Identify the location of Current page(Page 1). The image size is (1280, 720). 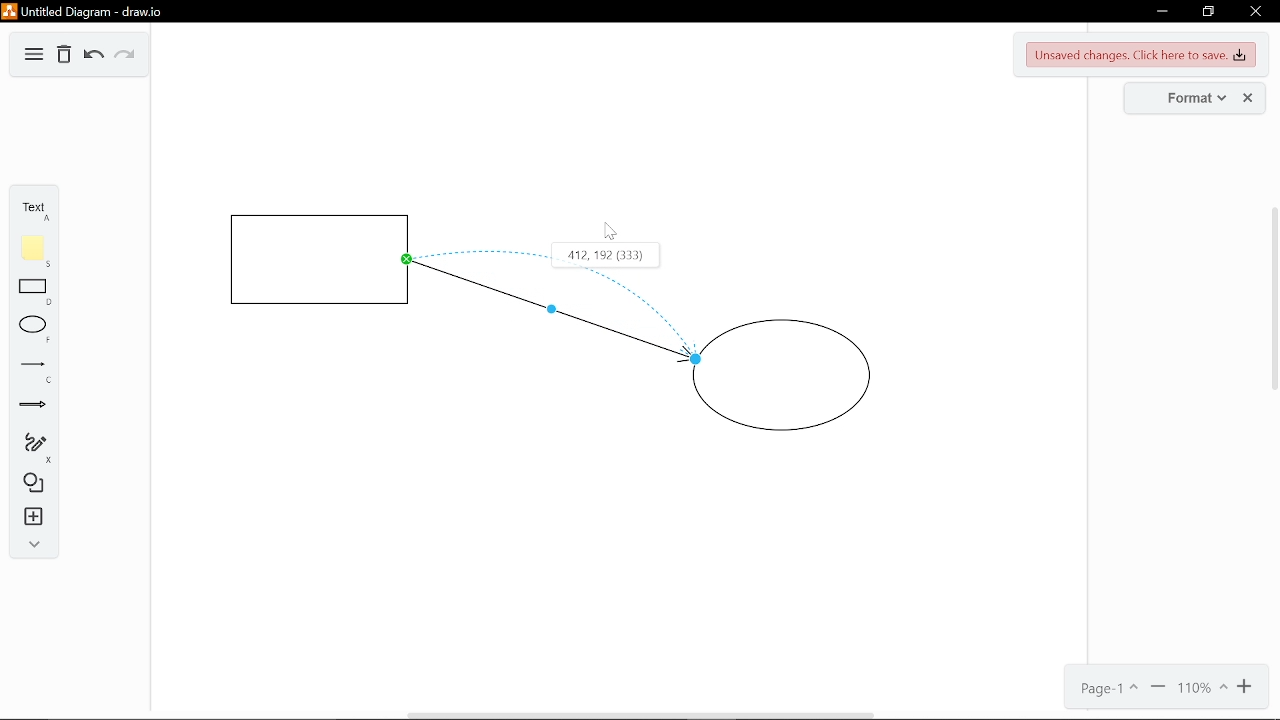
(1111, 689).